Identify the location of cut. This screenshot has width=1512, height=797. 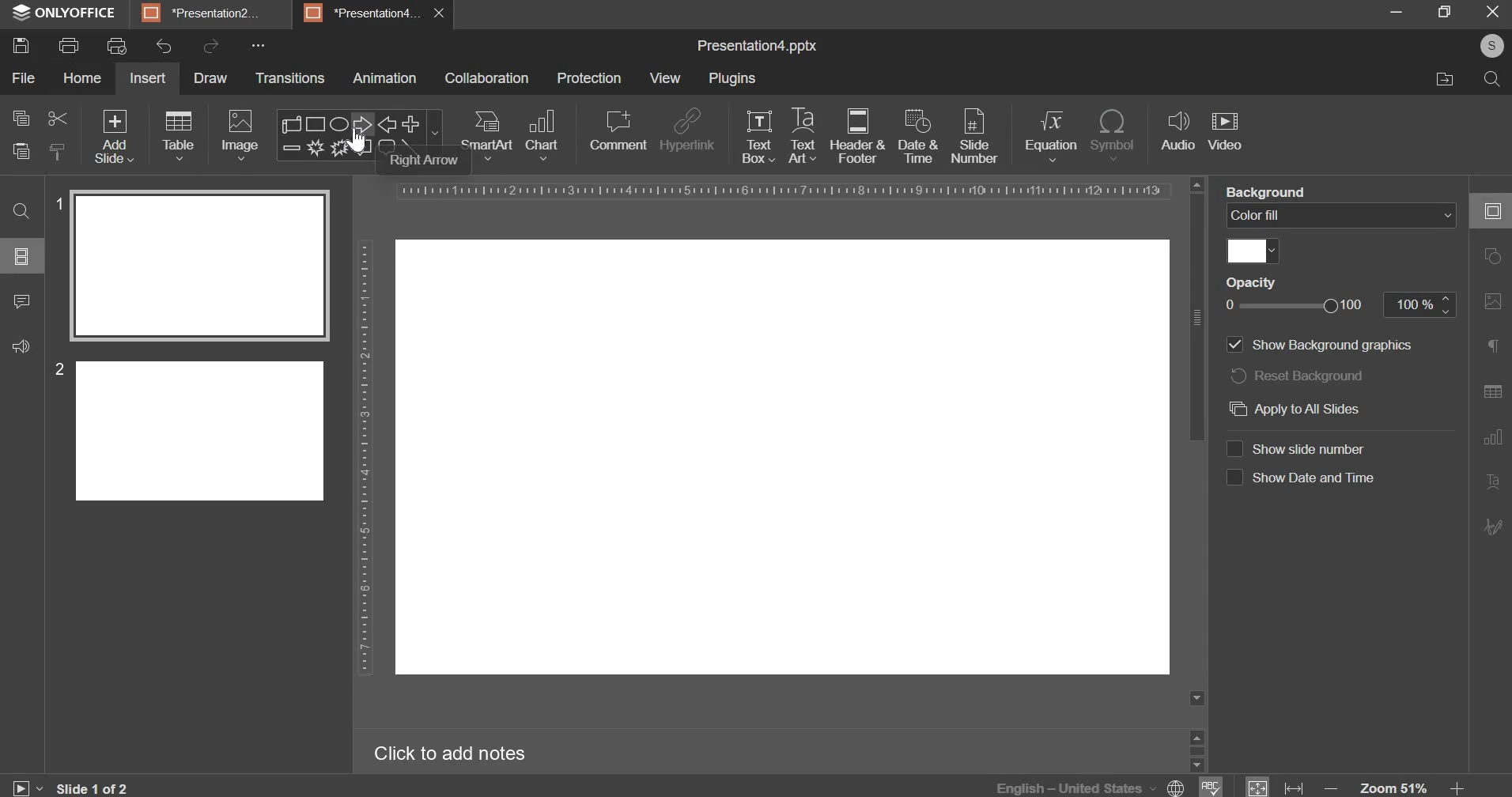
(55, 117).